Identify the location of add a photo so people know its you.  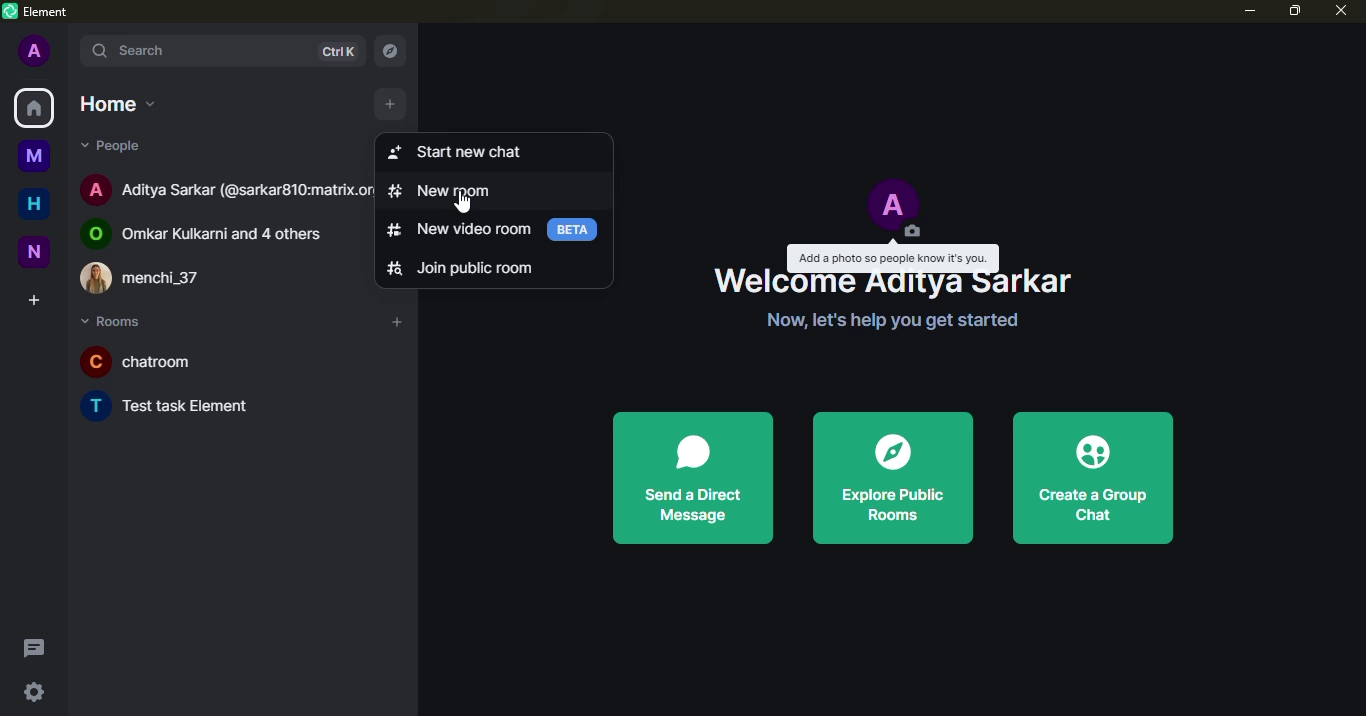
(892, 258).